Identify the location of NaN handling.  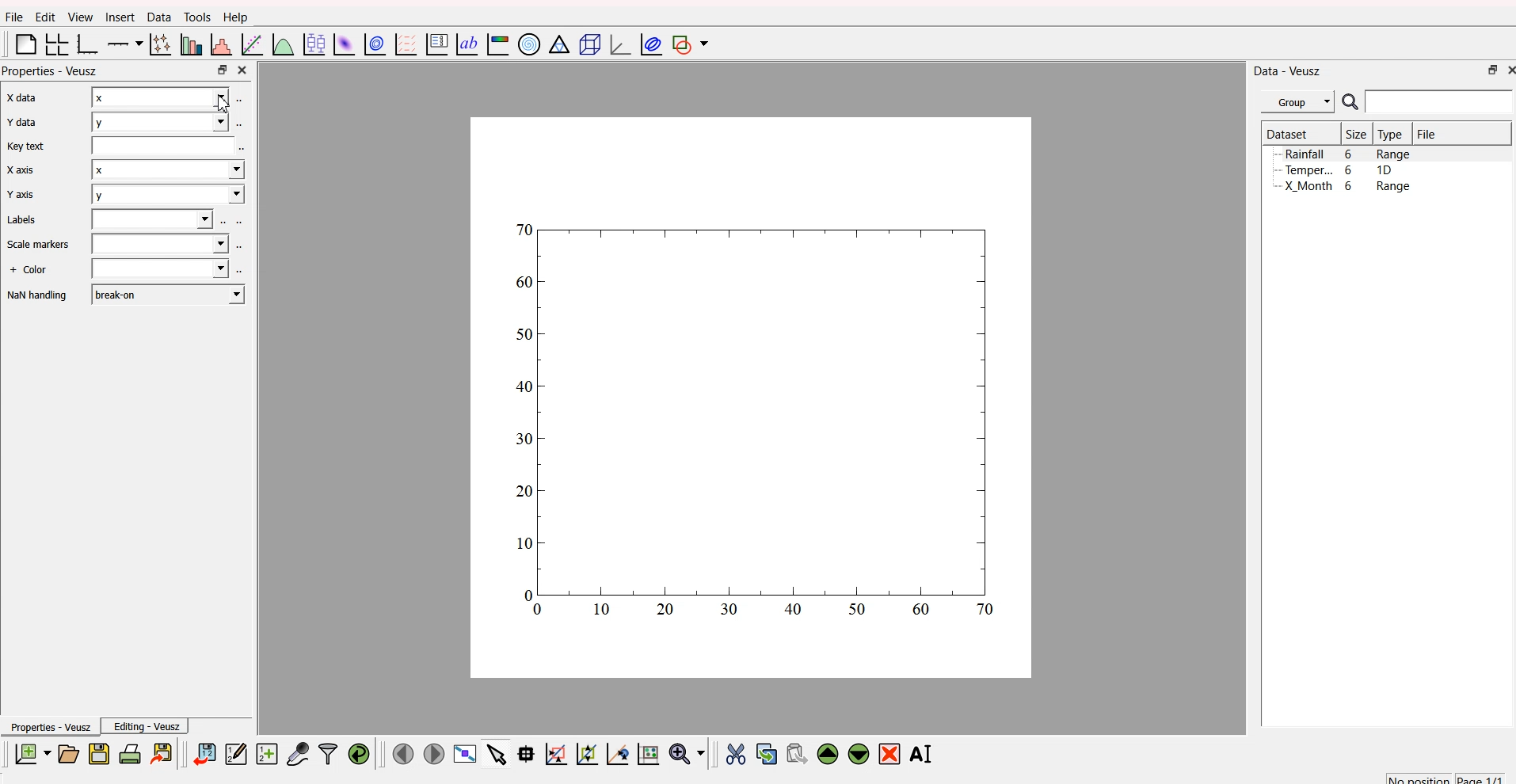
(38, 296).